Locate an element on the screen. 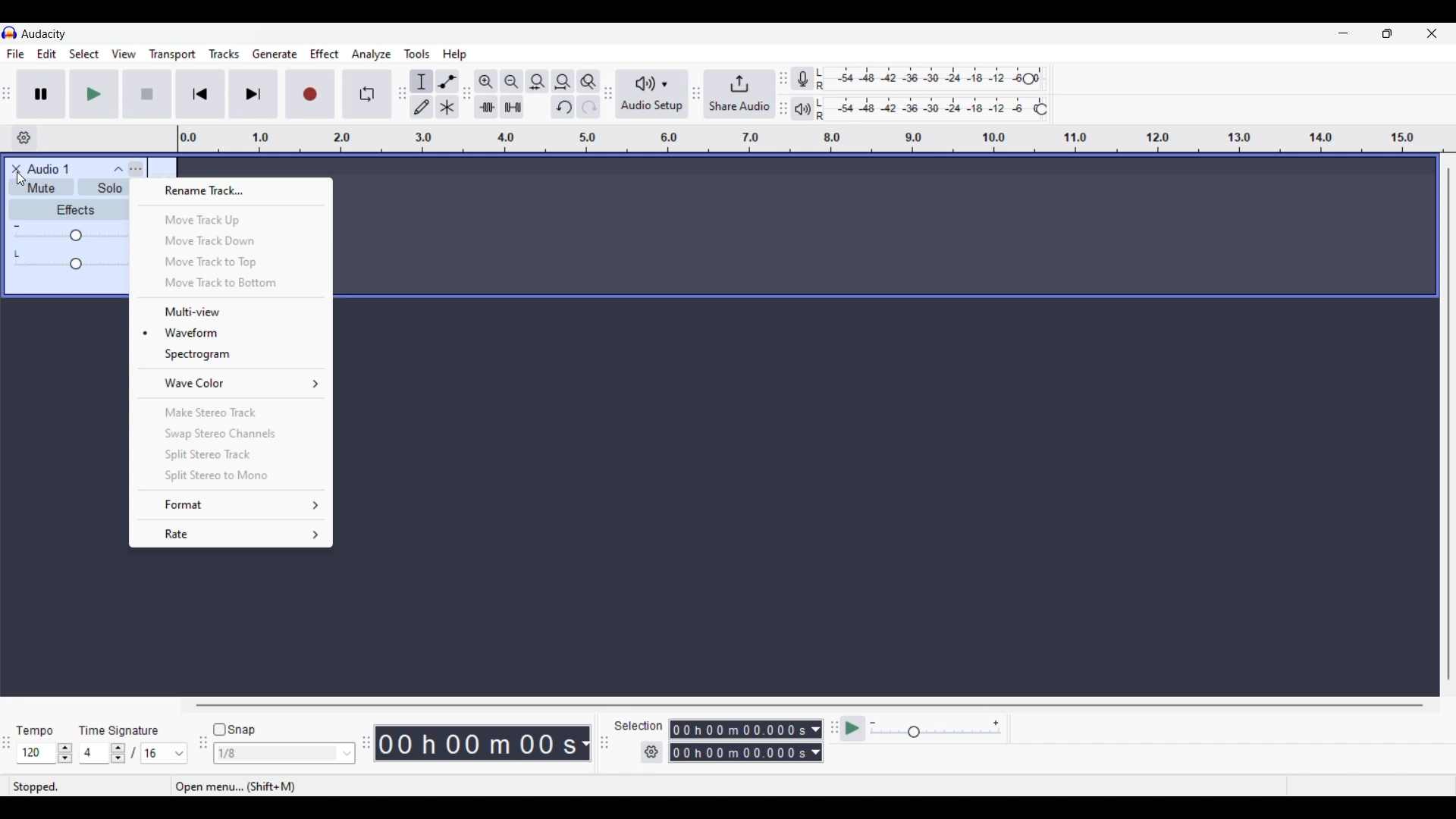 The image size is (1456, 819). Time Signature is located at coordinates (121, 730).